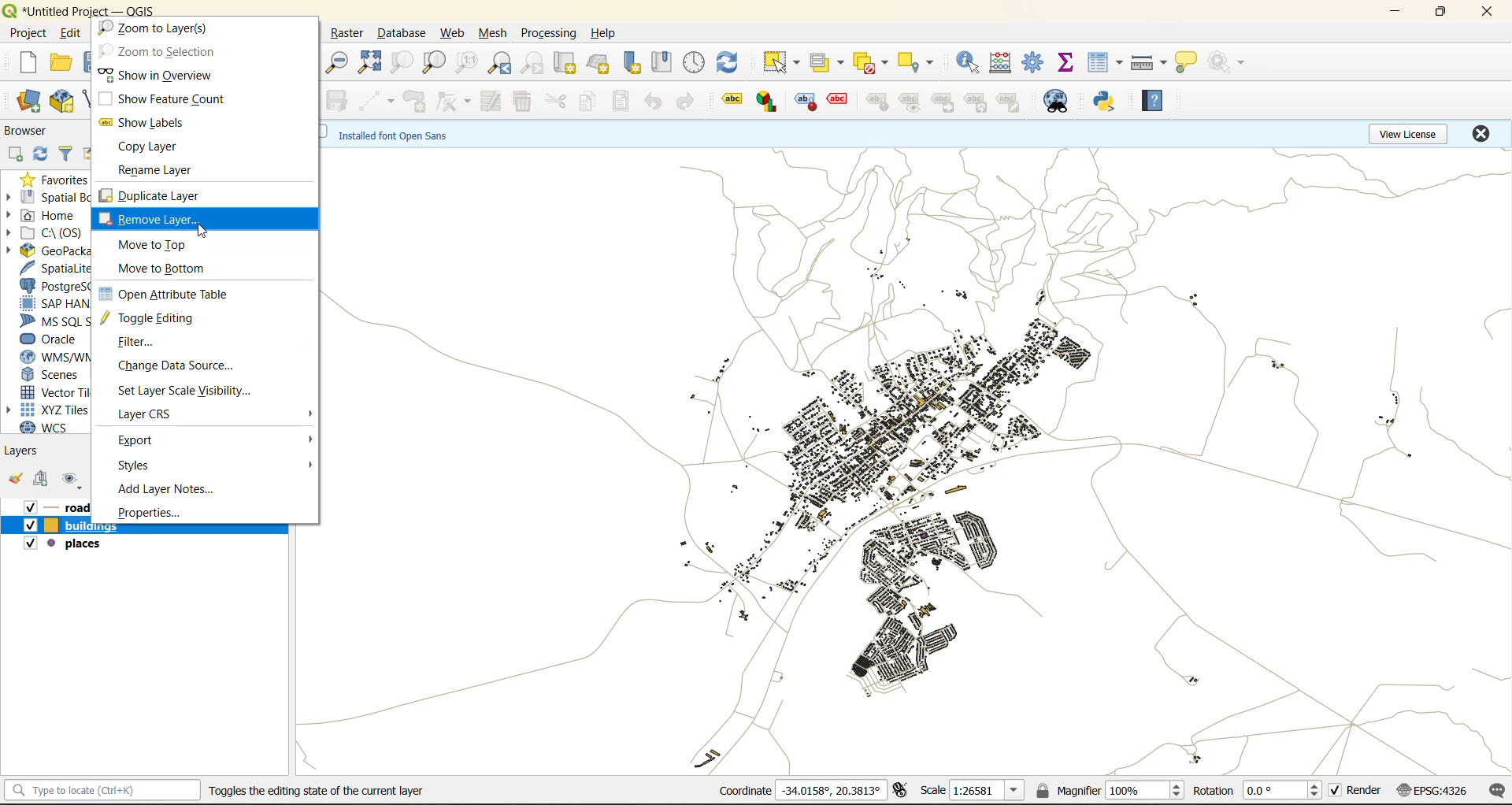 The width and height of the screenshot is (1512, 805). I want to click on rotation, so click(1261, 791).